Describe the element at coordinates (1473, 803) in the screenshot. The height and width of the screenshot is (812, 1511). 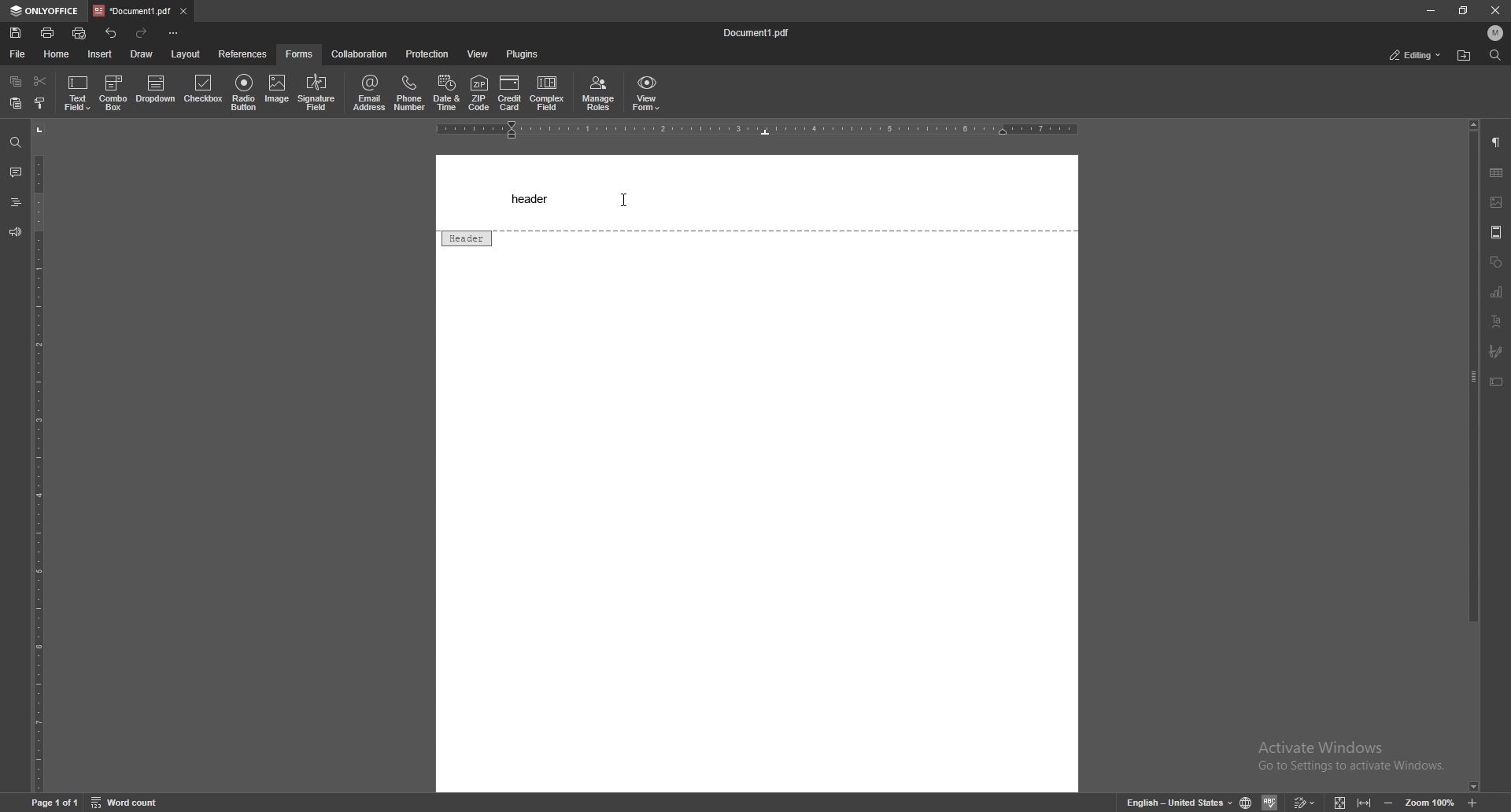
I see `zoom in` at that location.